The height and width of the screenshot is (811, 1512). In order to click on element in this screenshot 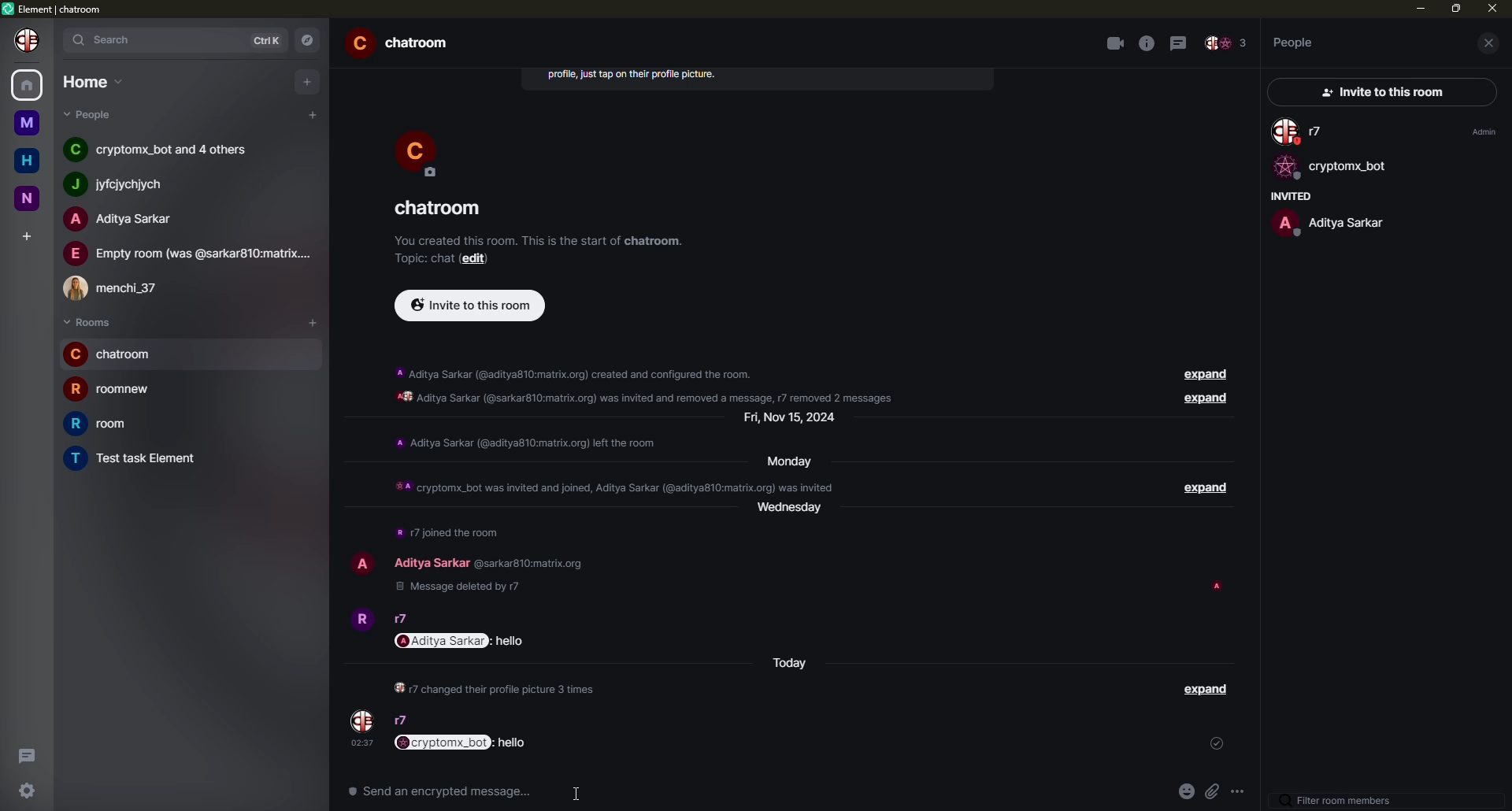, I will do `click(57, 10)`.